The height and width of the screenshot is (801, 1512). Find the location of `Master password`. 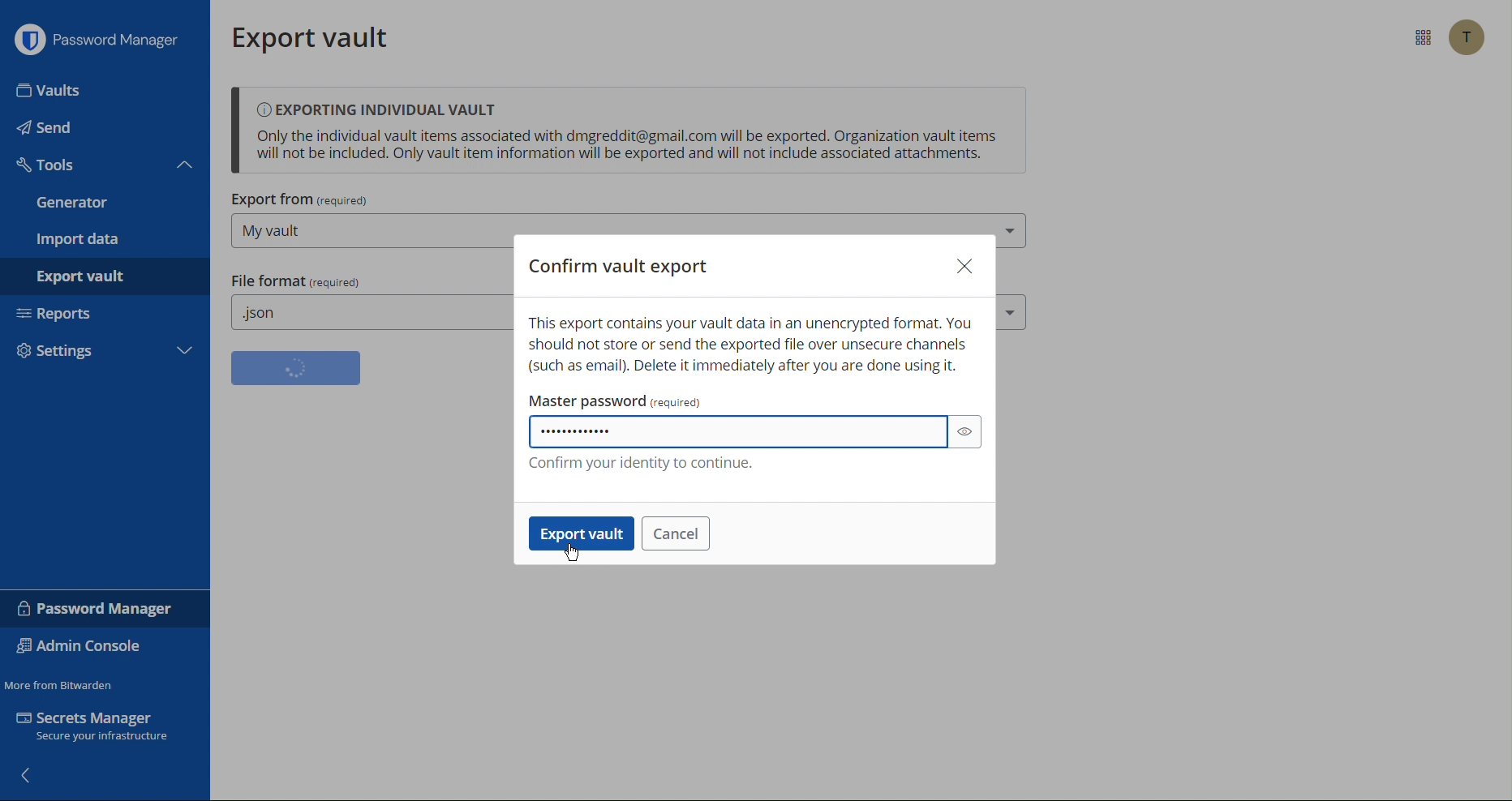

Master password is located at coordinates (618, 398).